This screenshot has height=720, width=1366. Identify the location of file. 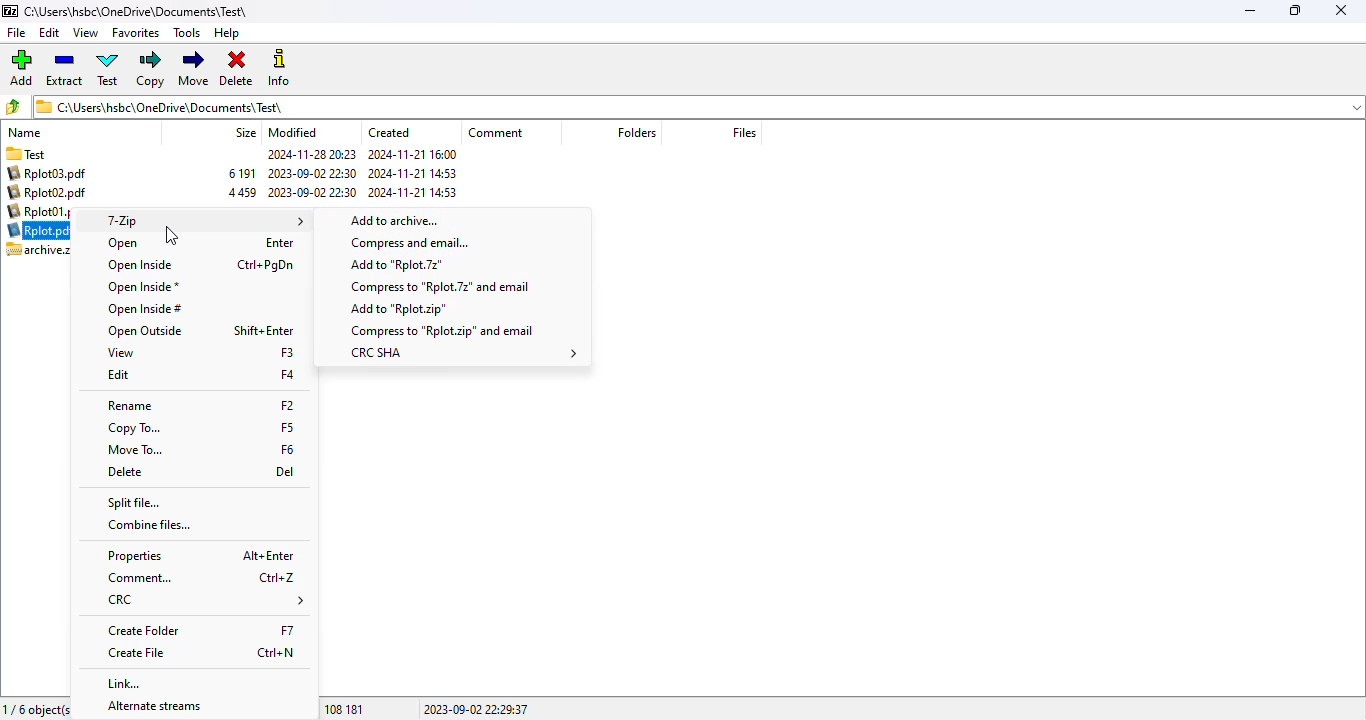
(15, 33).